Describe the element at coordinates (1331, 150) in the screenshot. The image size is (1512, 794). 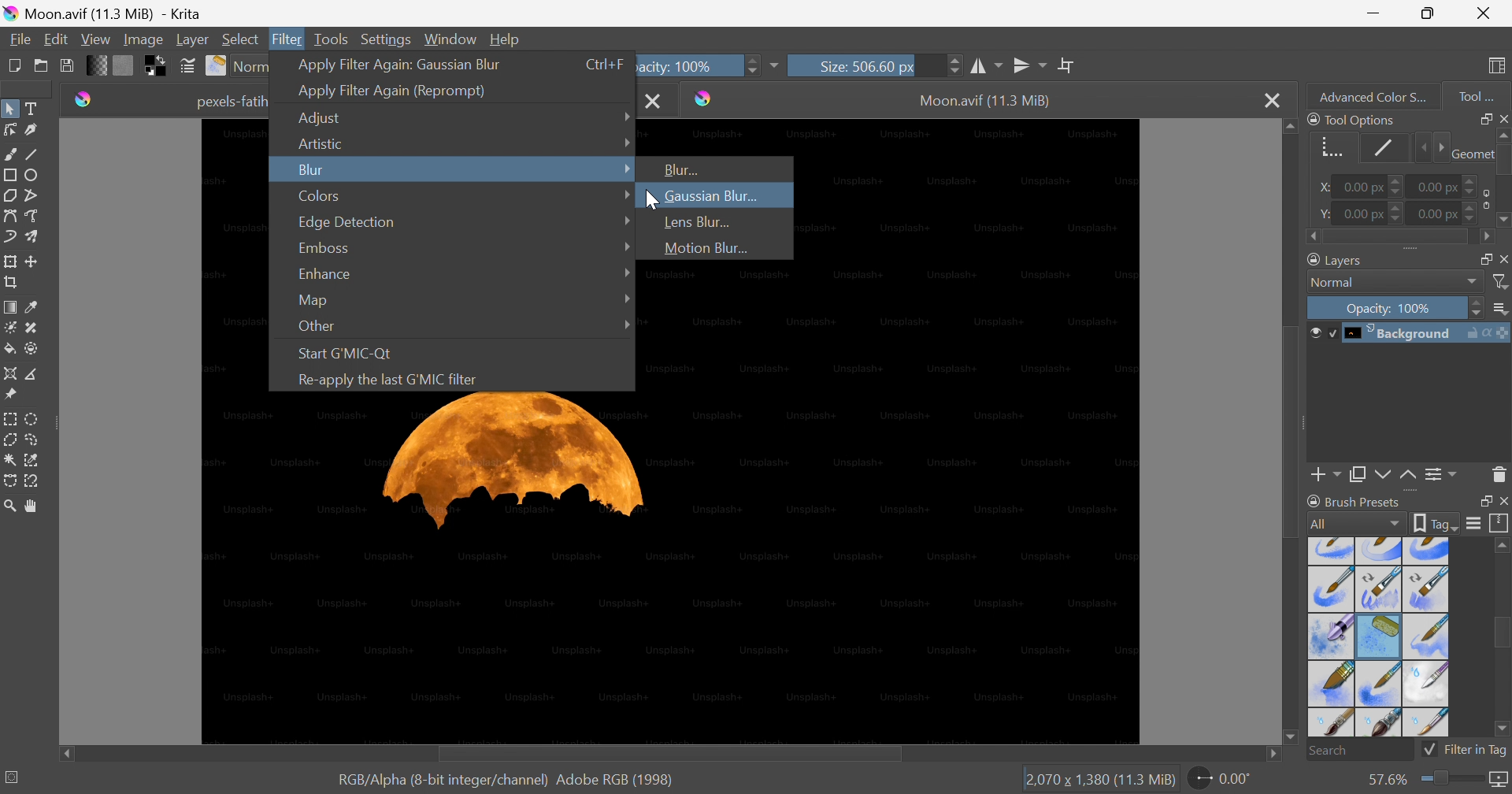
I see `Geometry` at that location.